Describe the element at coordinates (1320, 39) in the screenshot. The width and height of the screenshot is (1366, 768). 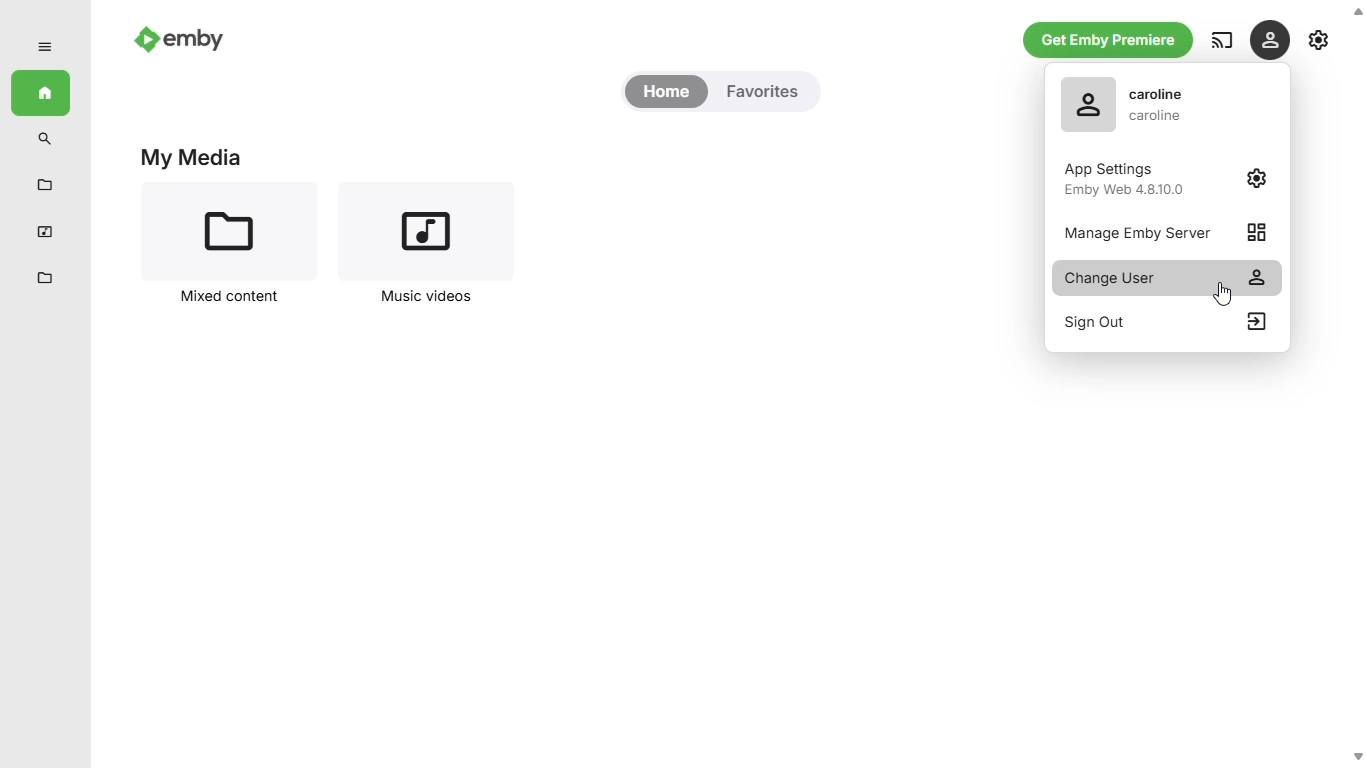
I see `manage emby server` at that location.